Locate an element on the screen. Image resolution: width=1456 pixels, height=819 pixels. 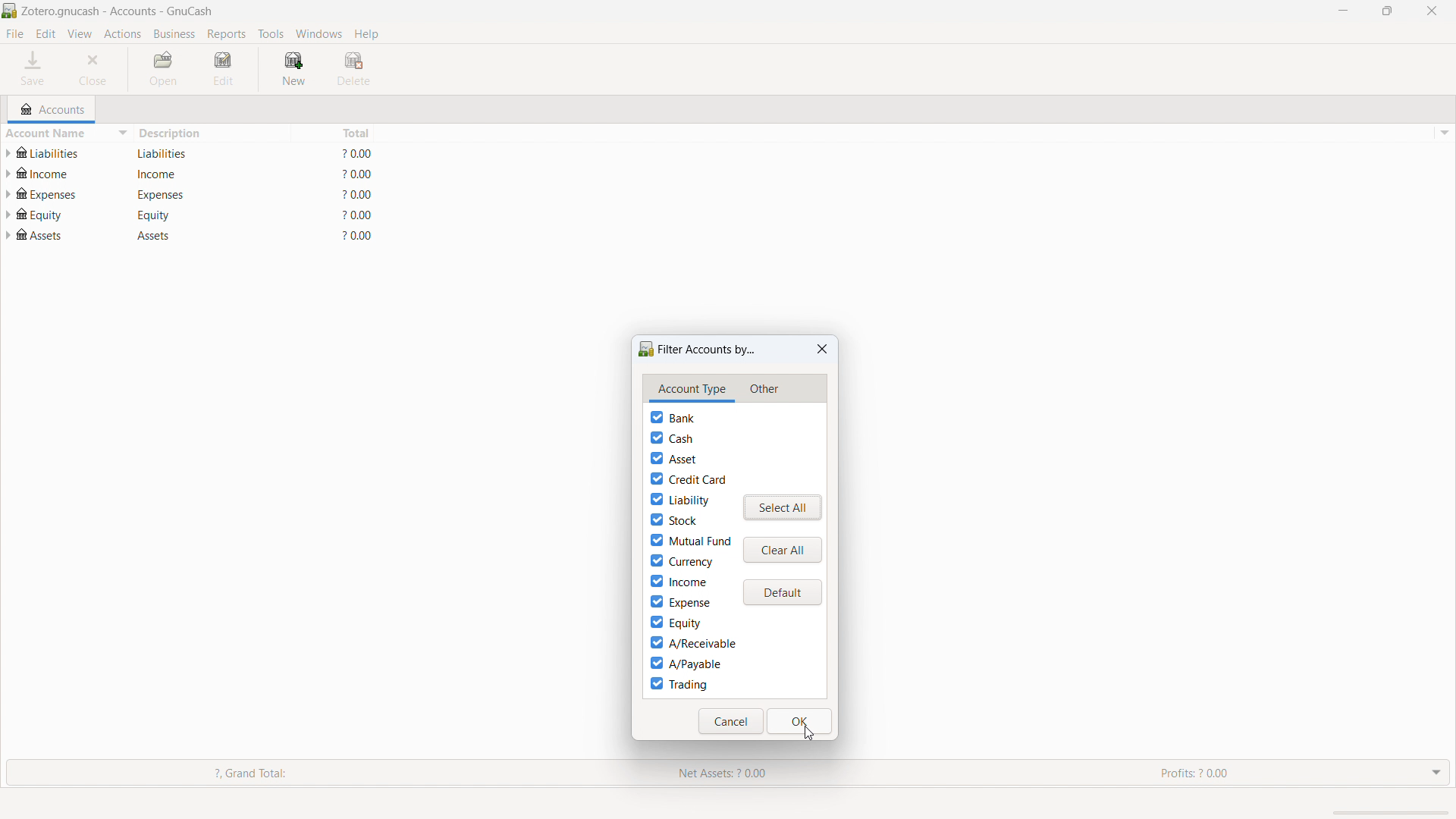
default is located at coordinates (782, 592).